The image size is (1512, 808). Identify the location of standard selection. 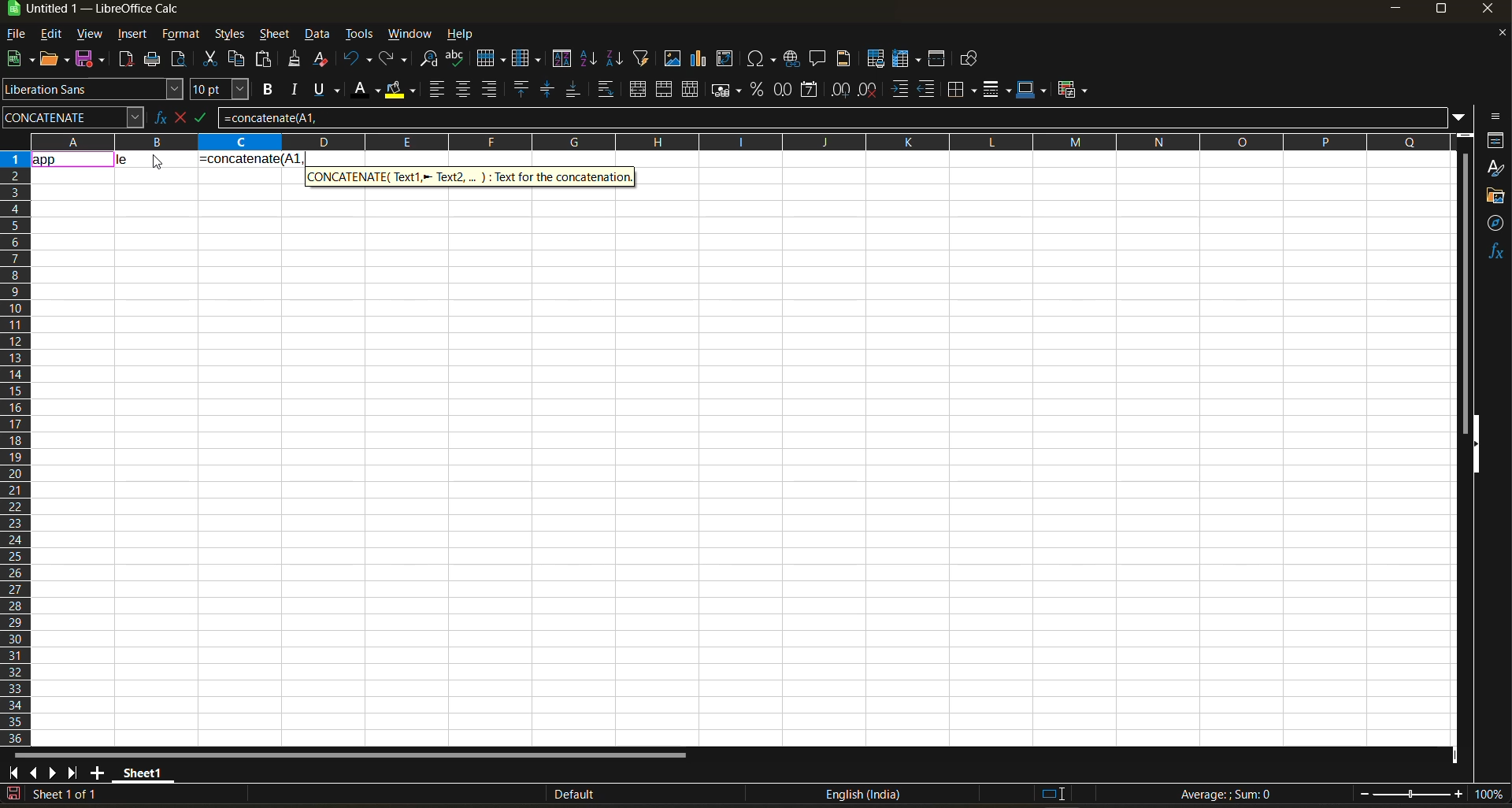
(1053, 793).